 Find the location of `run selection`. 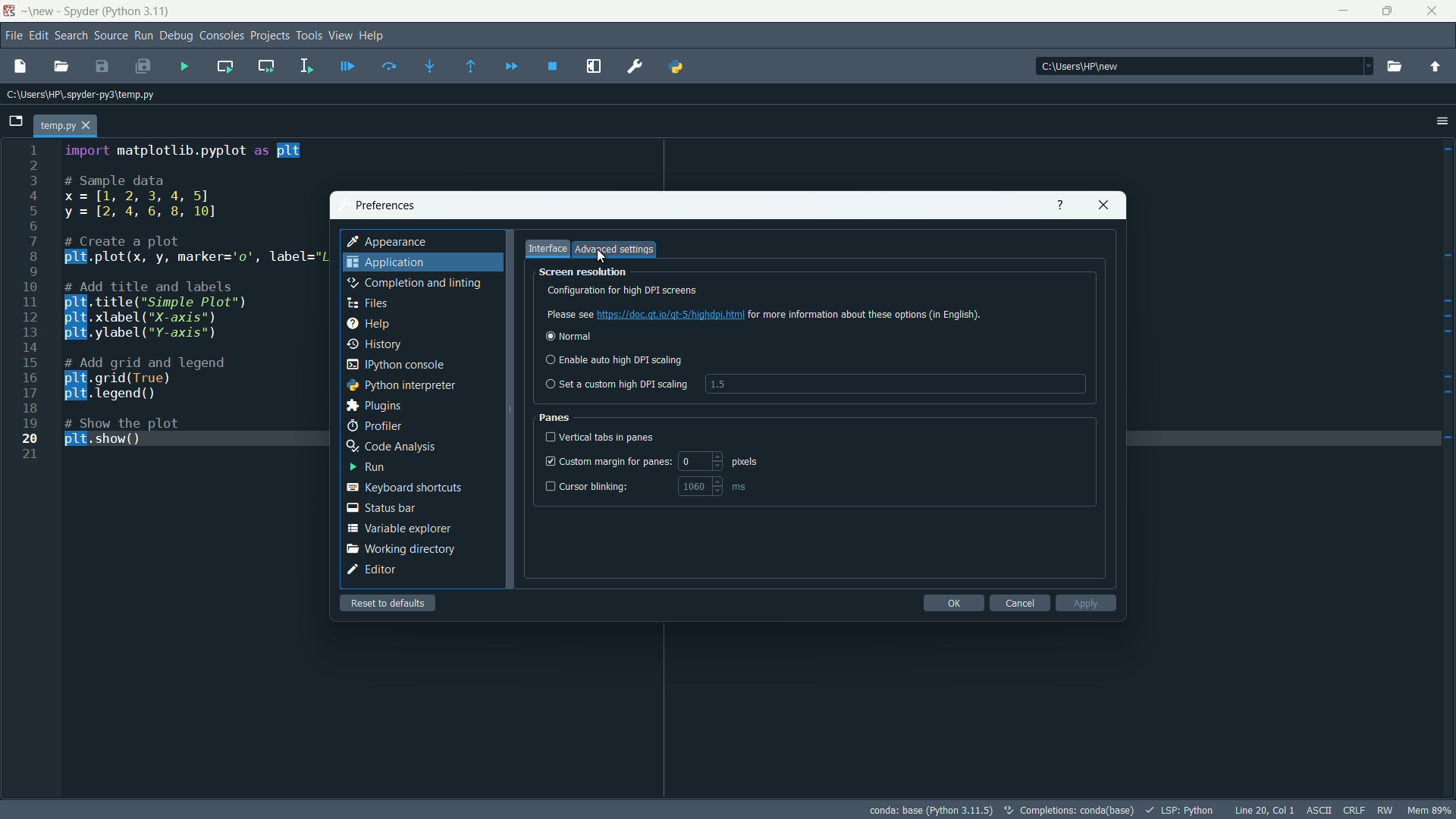

run selection is located at coordinates (307, 66).